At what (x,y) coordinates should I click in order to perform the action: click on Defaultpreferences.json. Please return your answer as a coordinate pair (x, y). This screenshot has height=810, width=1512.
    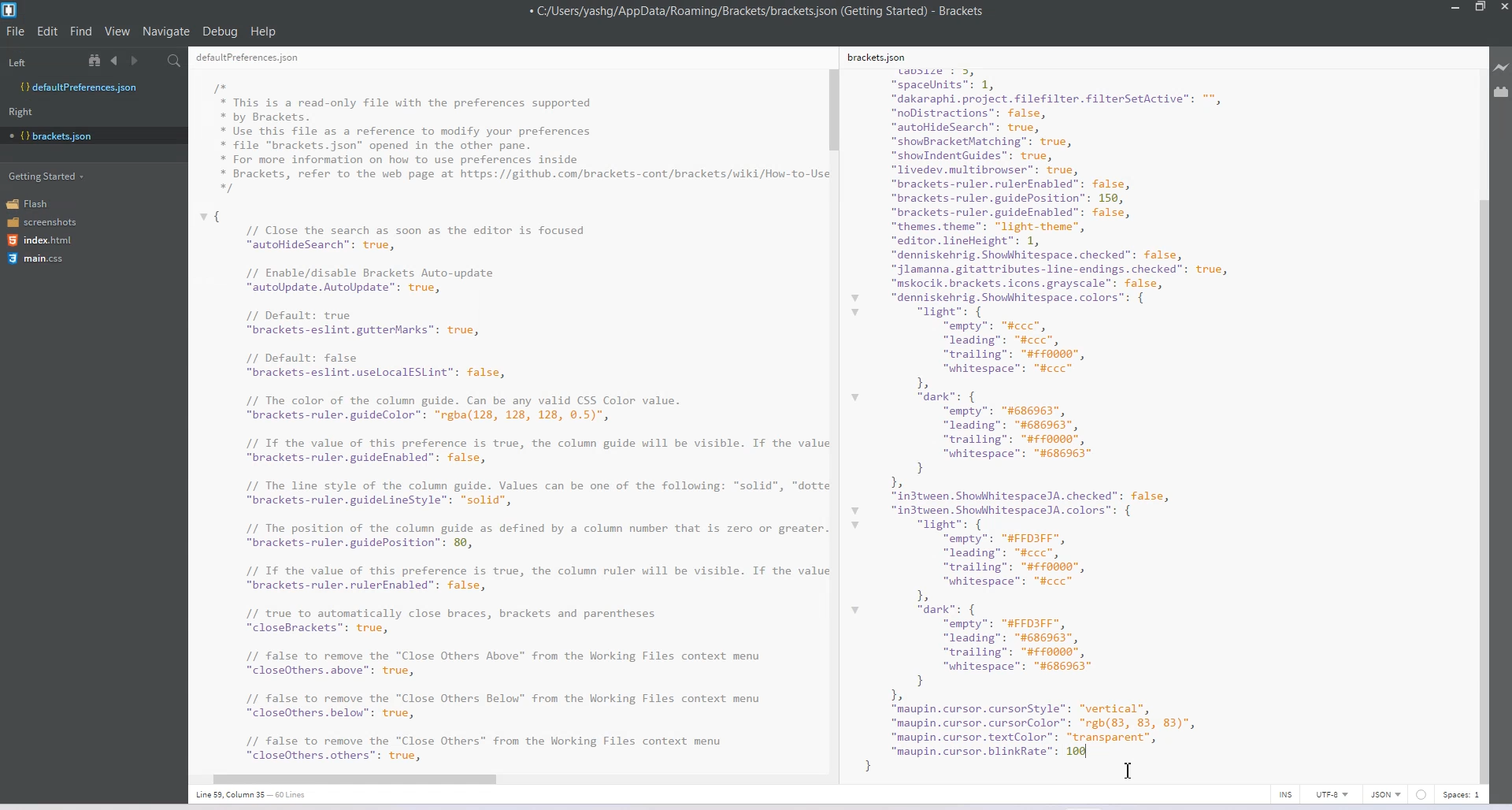
    Looking at the image, I should click on (93, 87).